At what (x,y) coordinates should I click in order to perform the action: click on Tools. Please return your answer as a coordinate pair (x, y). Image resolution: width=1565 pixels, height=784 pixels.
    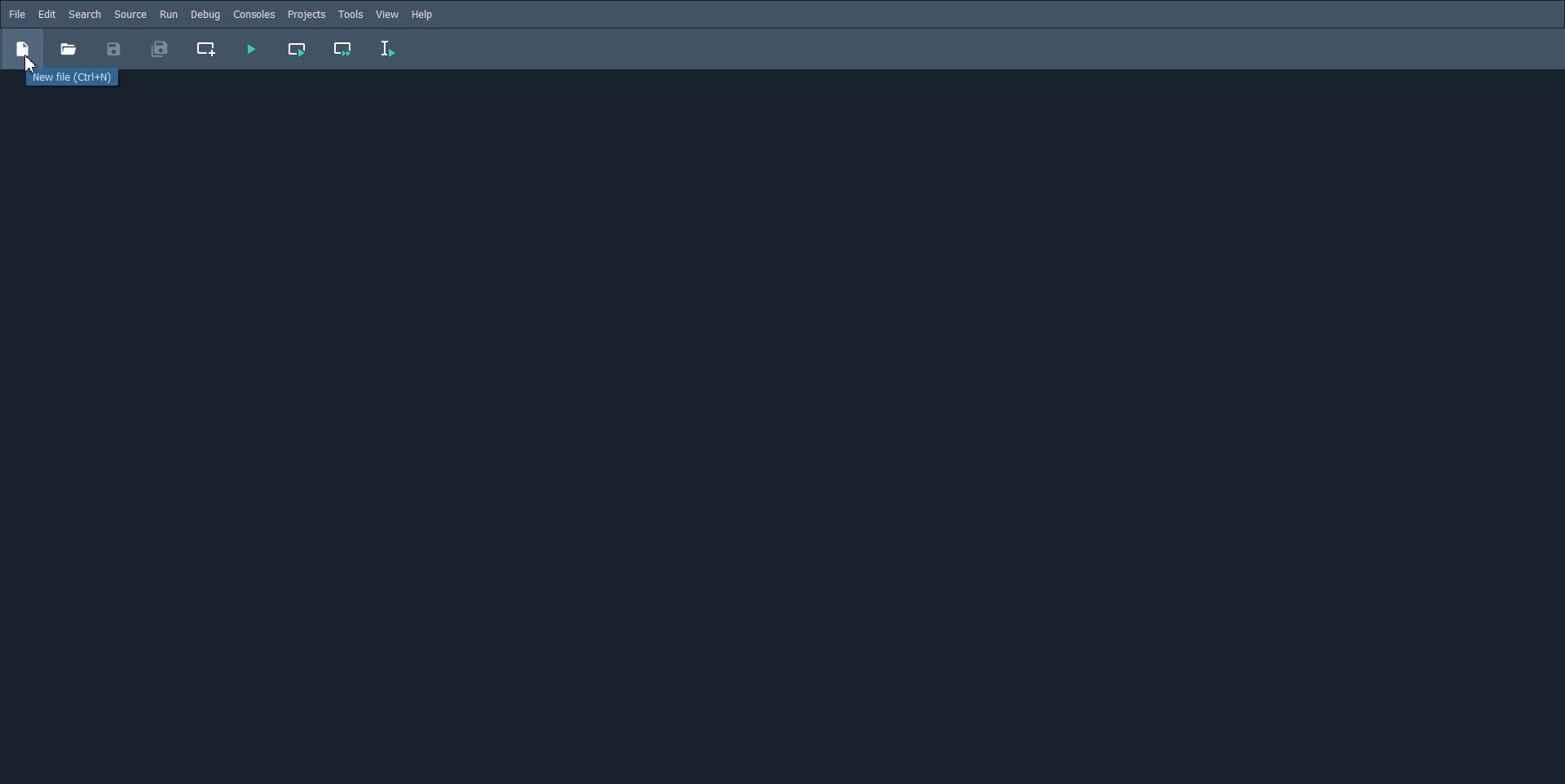
    Looking at the image, I should click on (350, 15).